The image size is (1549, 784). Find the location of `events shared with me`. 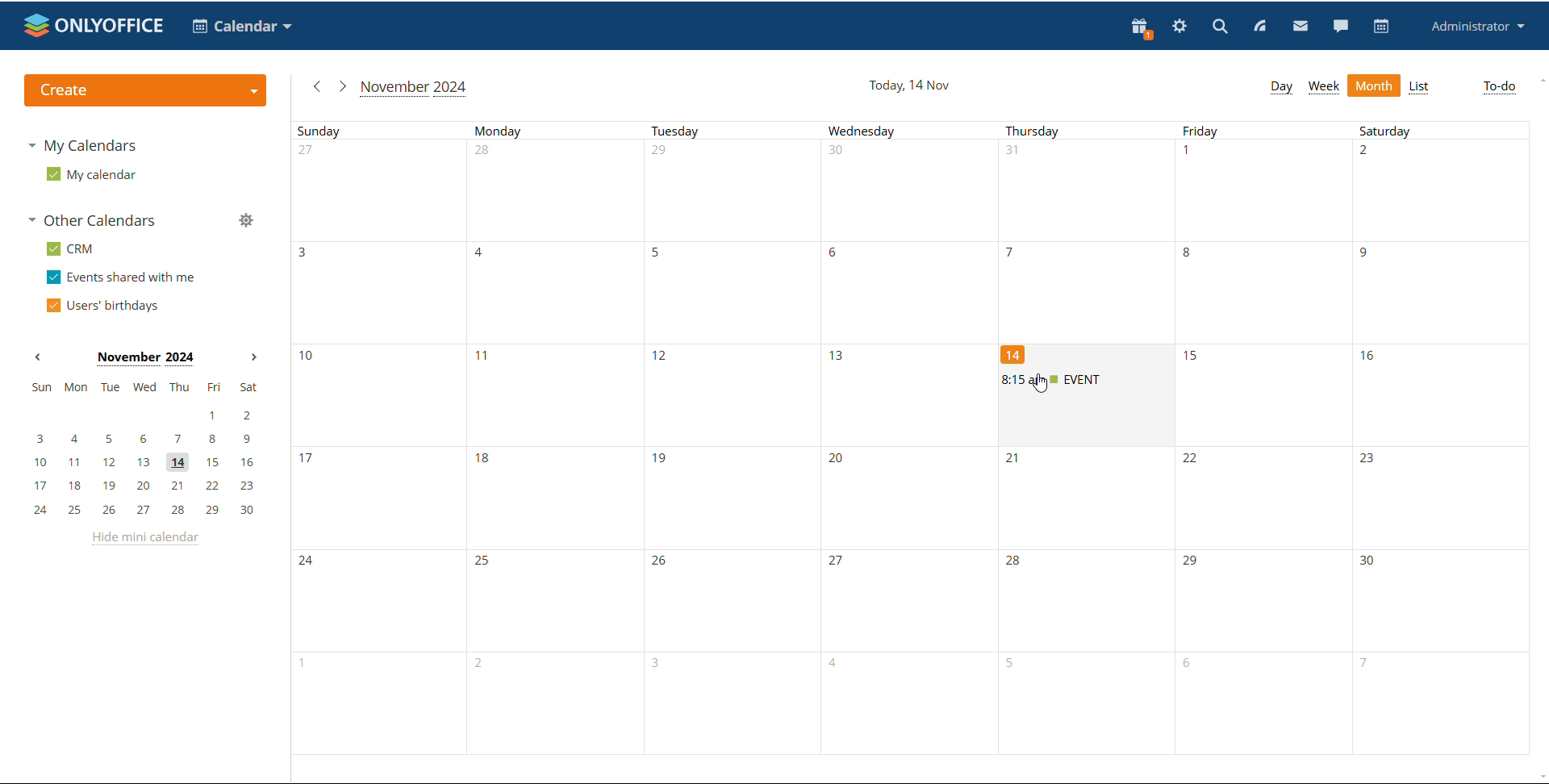

events shared with me is located at coordinates (121, 277).